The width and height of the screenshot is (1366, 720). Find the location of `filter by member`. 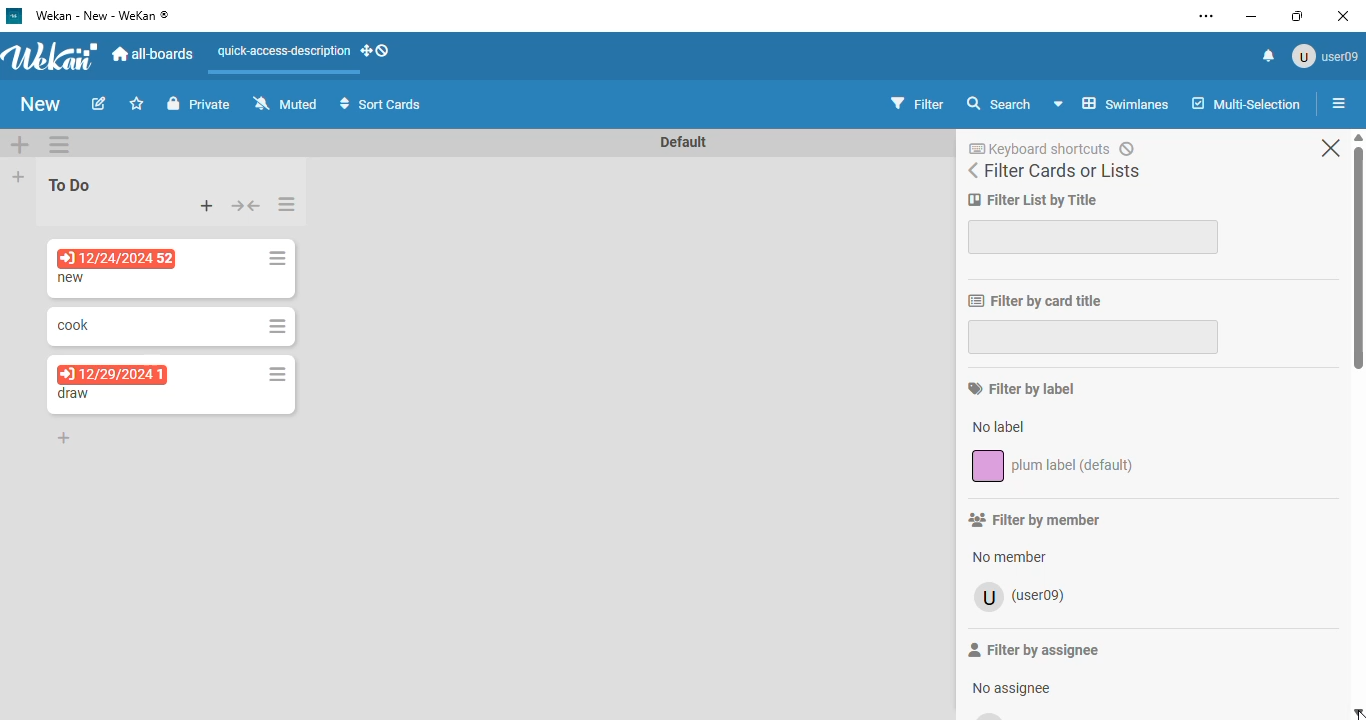

filter by member is located at coordinates (1035, 519).